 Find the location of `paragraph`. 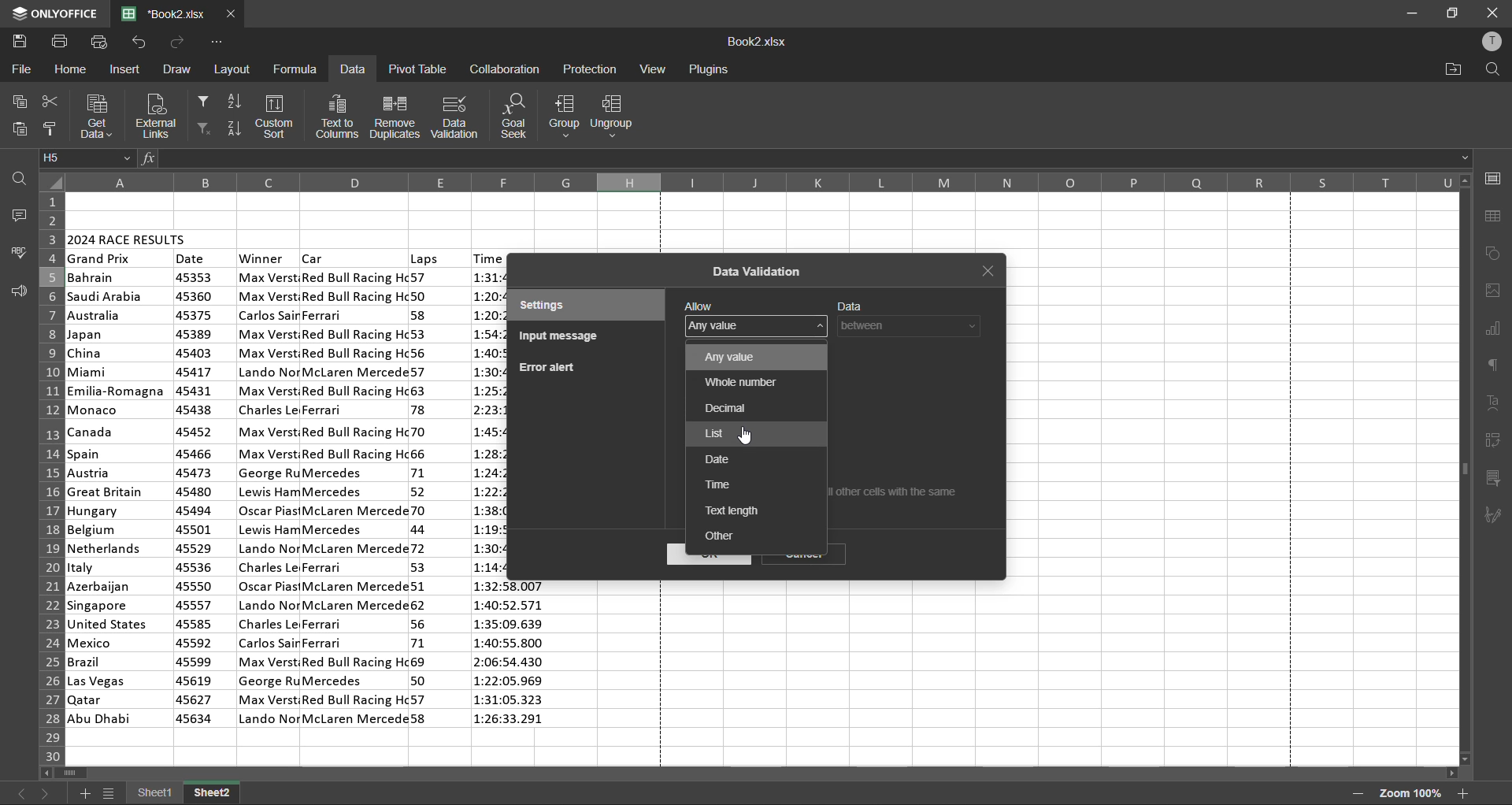

paragraph is located at coordinates (1497, 364).